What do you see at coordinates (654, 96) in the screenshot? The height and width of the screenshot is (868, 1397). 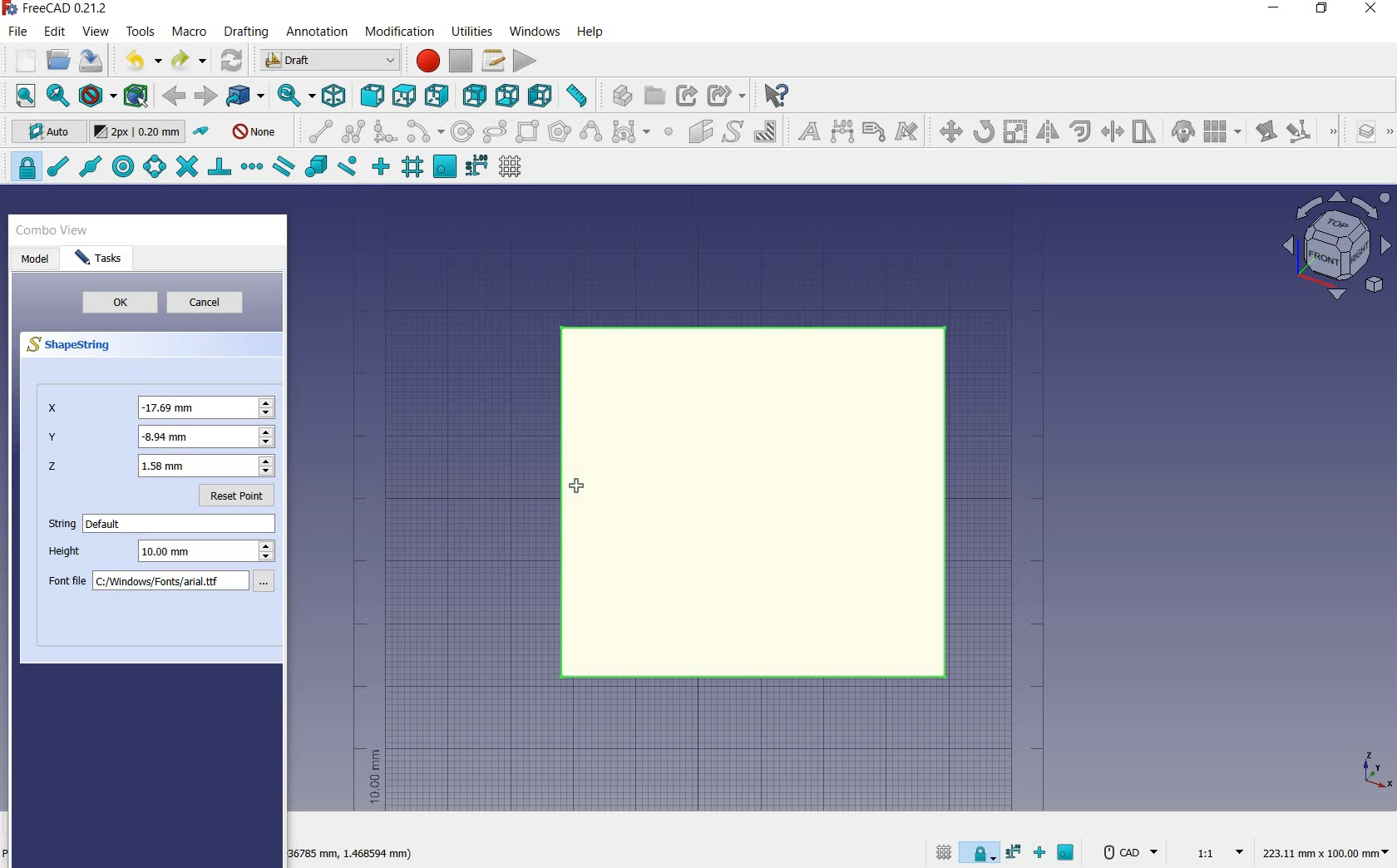 I see `create group` at bounding box center [654, 96].